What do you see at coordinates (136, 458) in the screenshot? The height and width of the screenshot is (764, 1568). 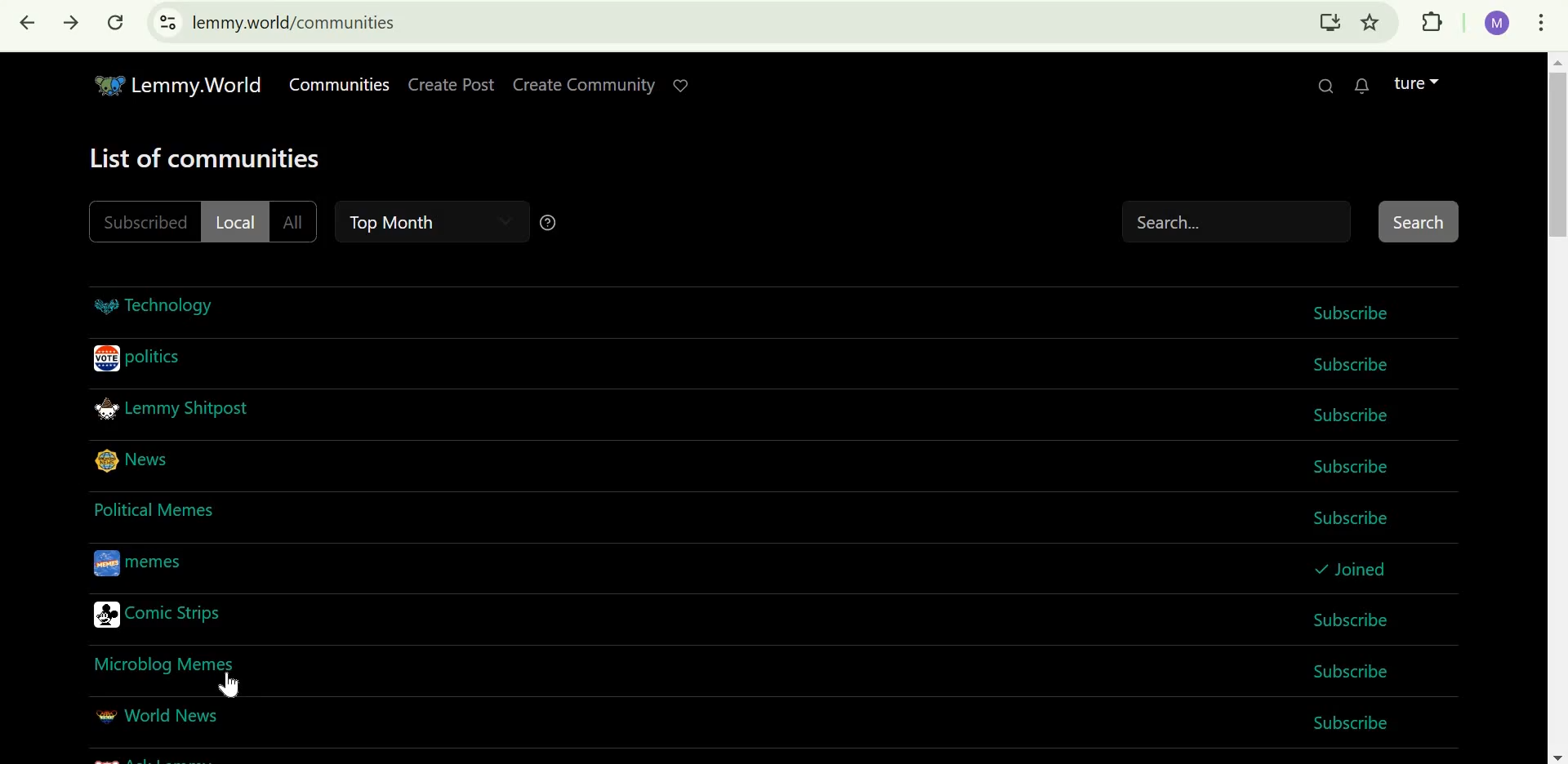 I see `news` at bounding box center [136, 458].